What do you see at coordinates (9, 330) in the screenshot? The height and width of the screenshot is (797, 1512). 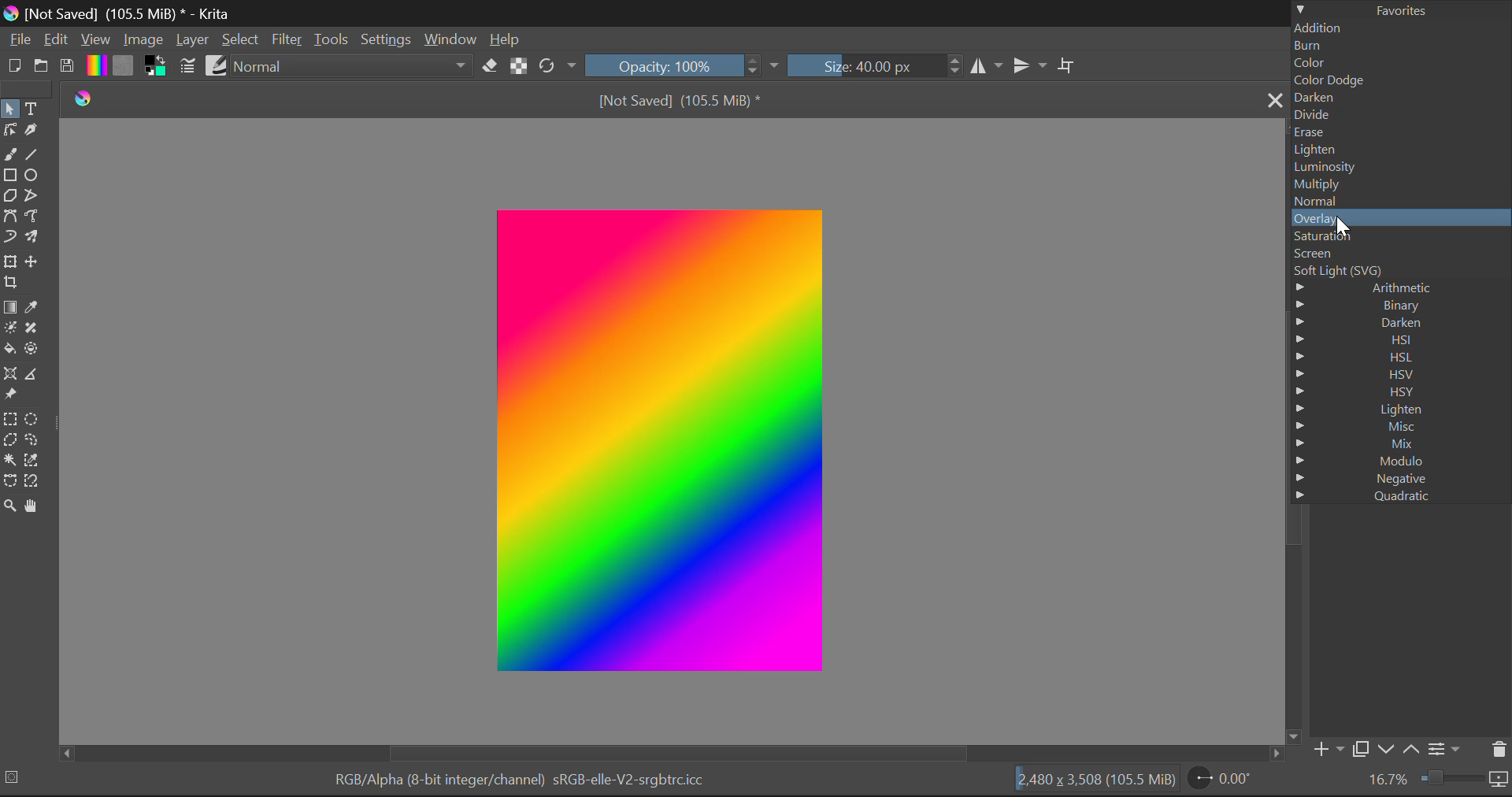 I see `Colorize Mask Tool` at bounding box center [9, 330].